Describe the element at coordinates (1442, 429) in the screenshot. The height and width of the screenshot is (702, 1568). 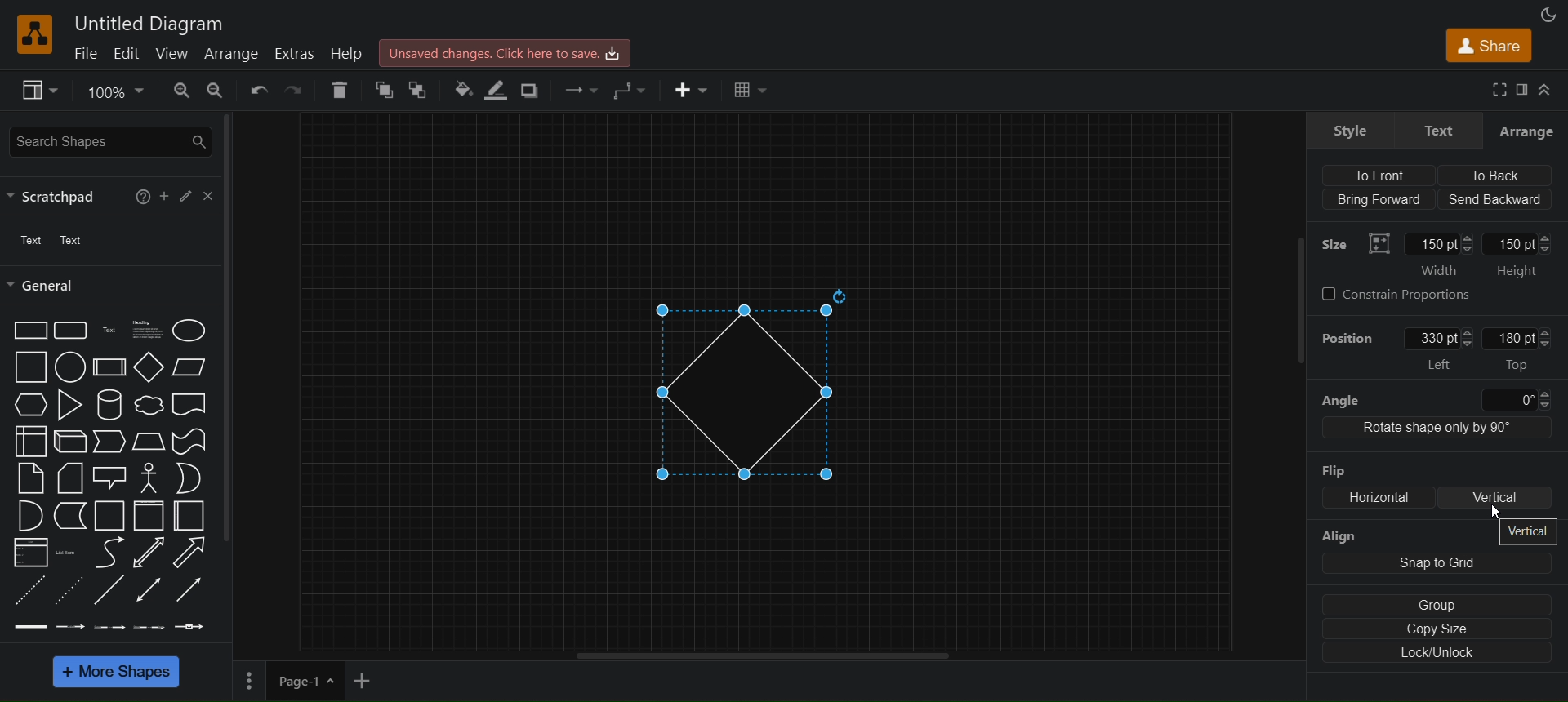
I see `rotate shape by 90 degree` at that location.